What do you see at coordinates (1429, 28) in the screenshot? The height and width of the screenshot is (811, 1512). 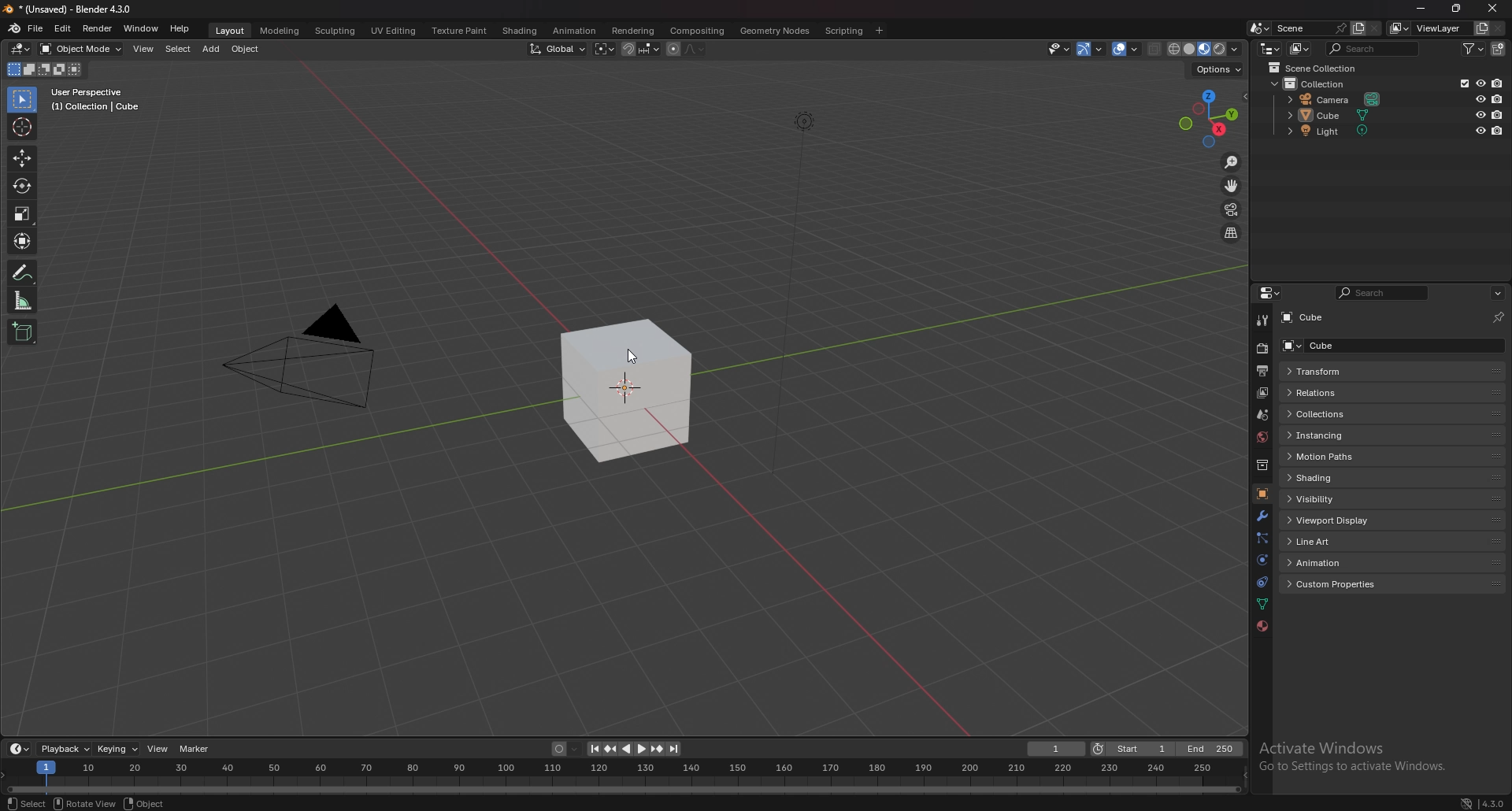 I see `view layer` at bounding box center [1429, 28].